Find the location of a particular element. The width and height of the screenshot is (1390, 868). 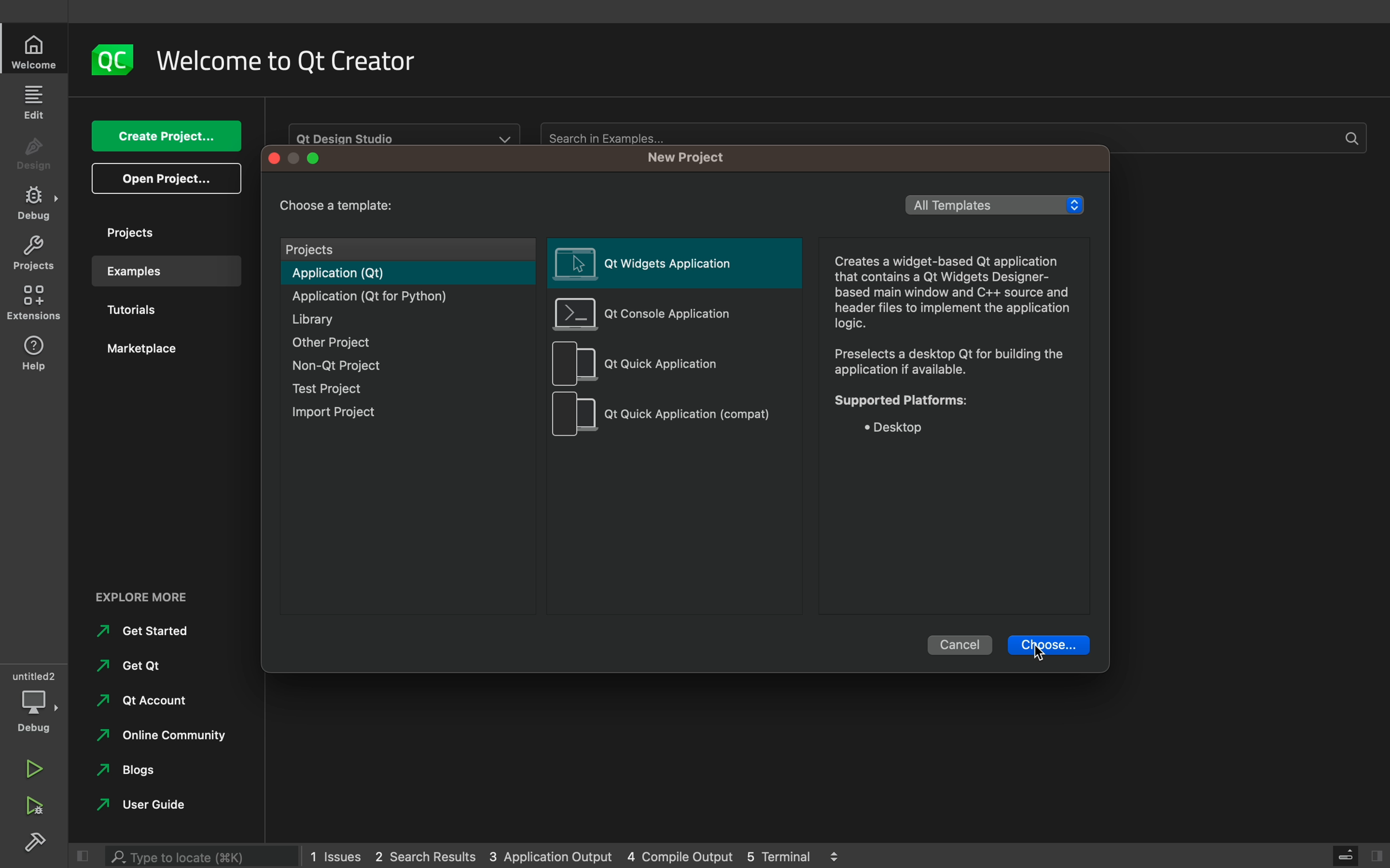

increase/decrease arrows is located at coordinates (1076, 206).